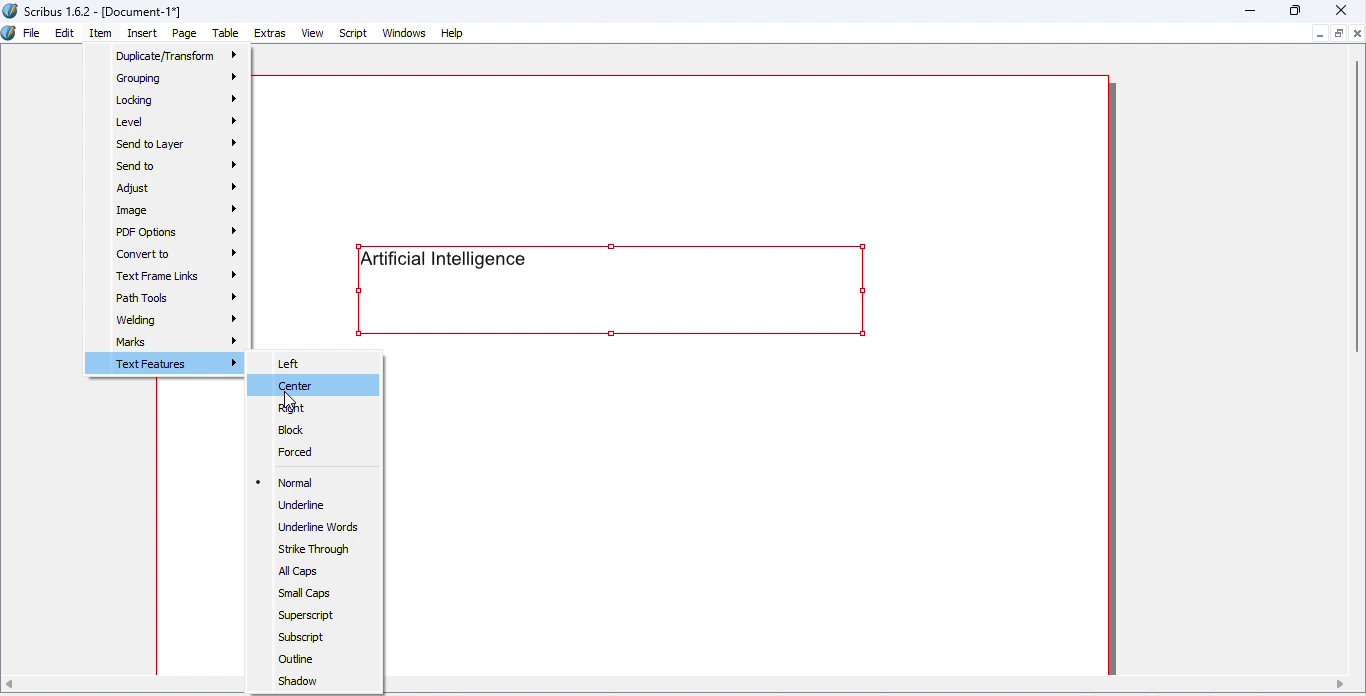  I want to click on Outline, so click(299, 660).